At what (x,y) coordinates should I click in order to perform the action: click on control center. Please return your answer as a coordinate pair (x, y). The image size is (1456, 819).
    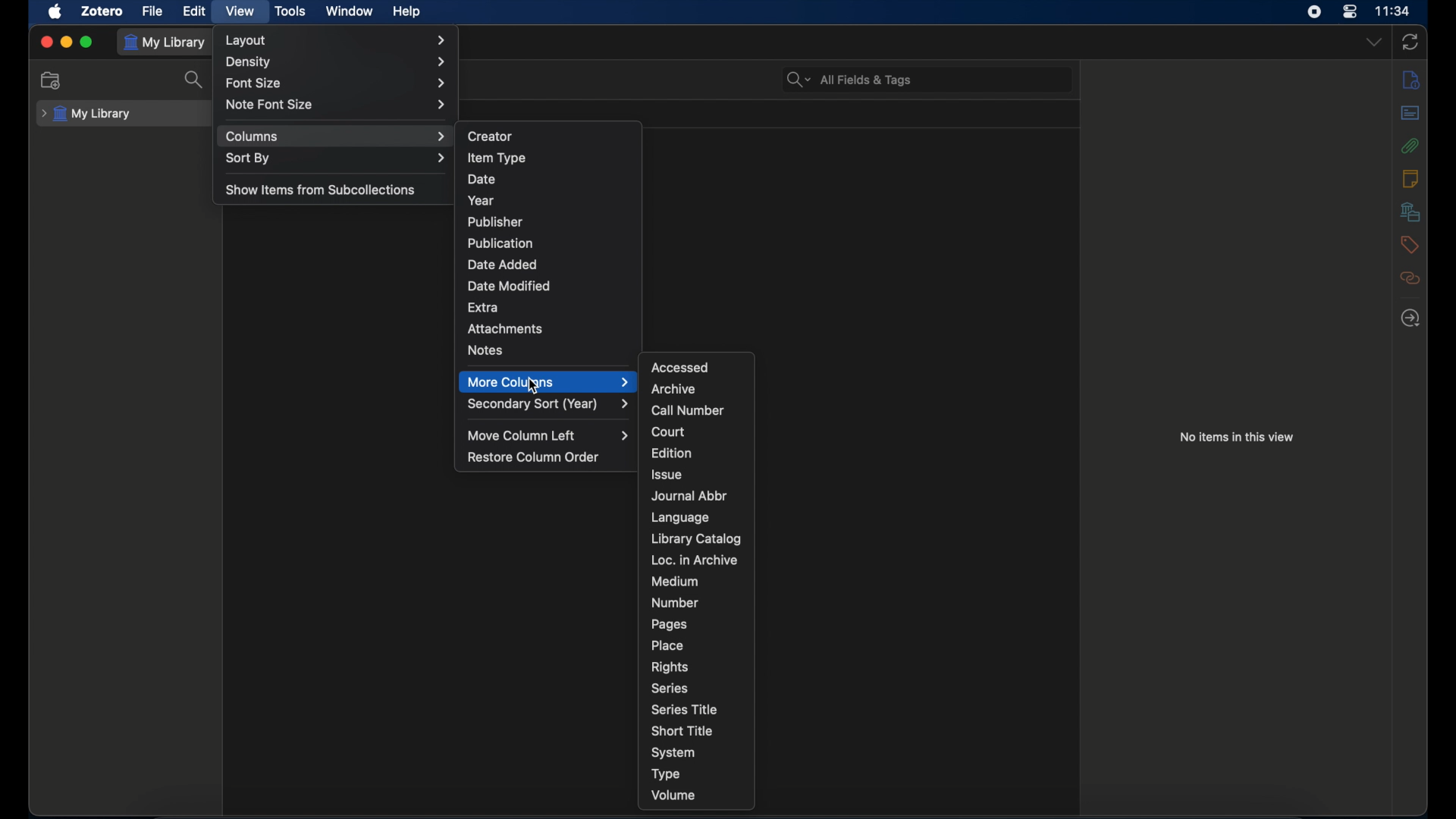
    Looking at the image, I should click on (1350, 12).